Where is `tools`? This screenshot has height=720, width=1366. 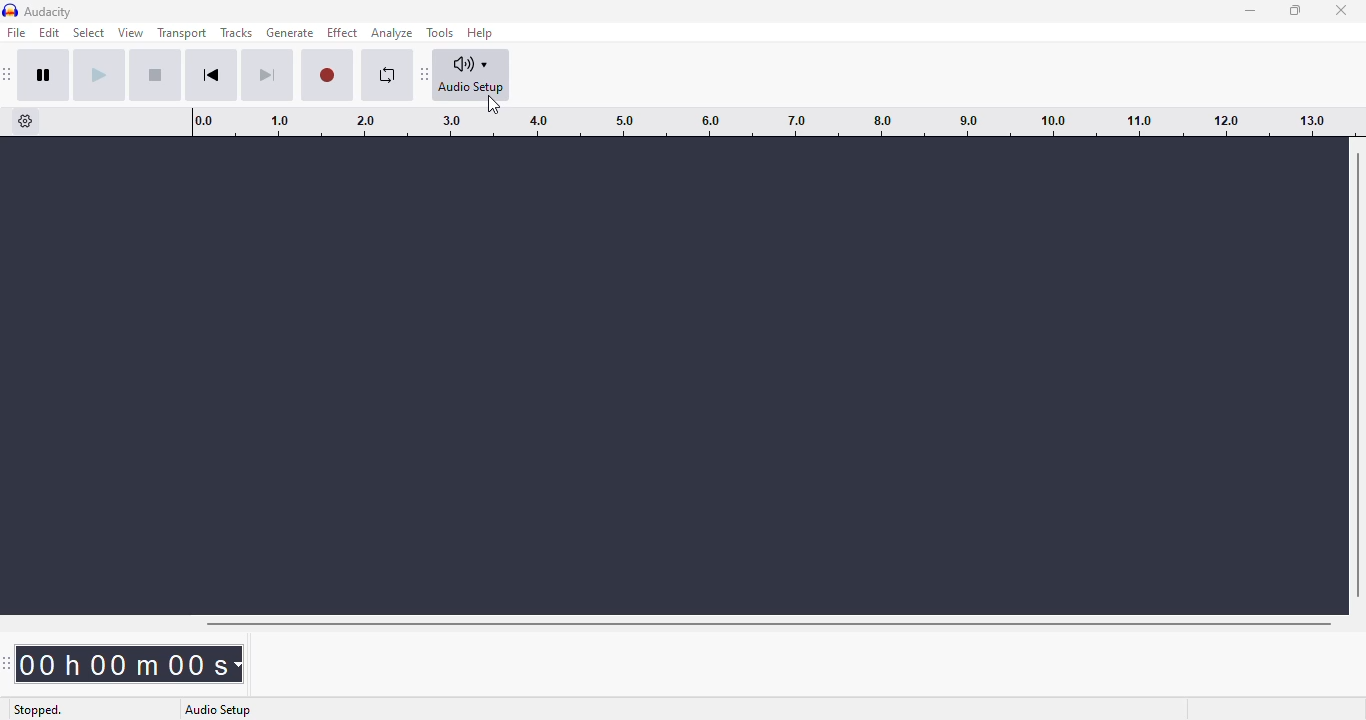
tools is located at coordinates (440, 33).